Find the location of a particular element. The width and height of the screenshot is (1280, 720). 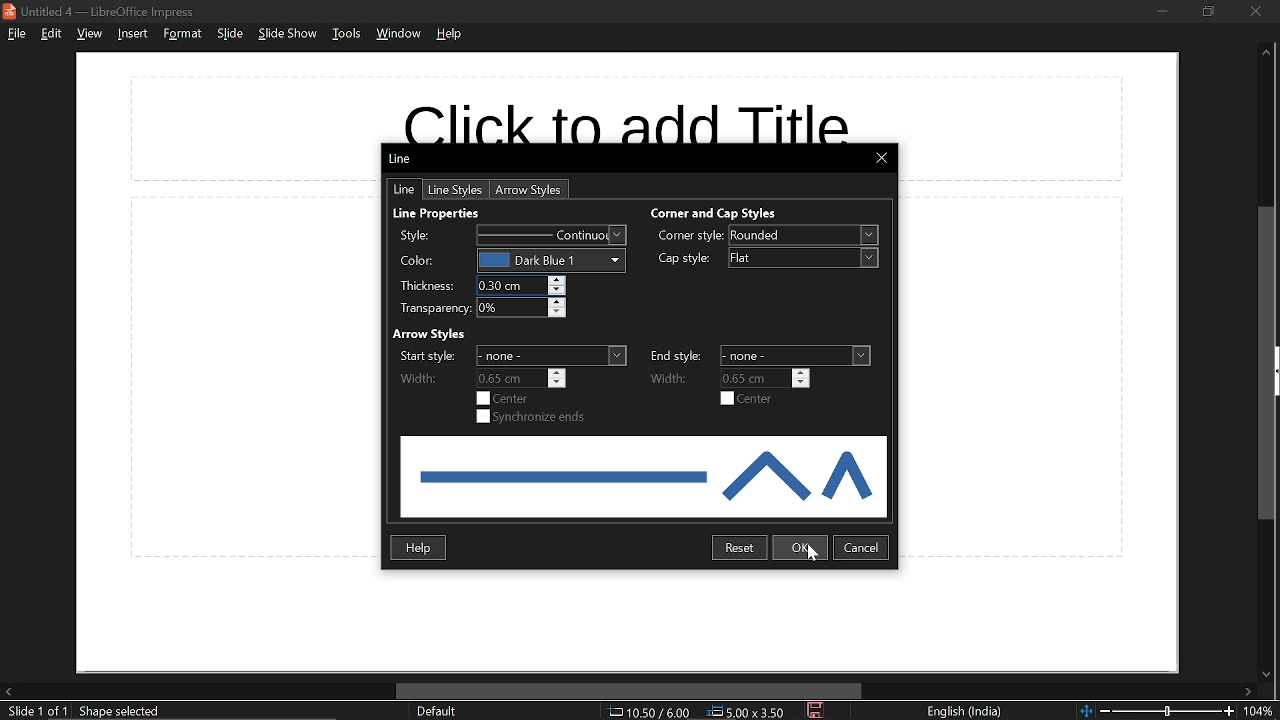

Move down is located at coordinates (1266, 672).